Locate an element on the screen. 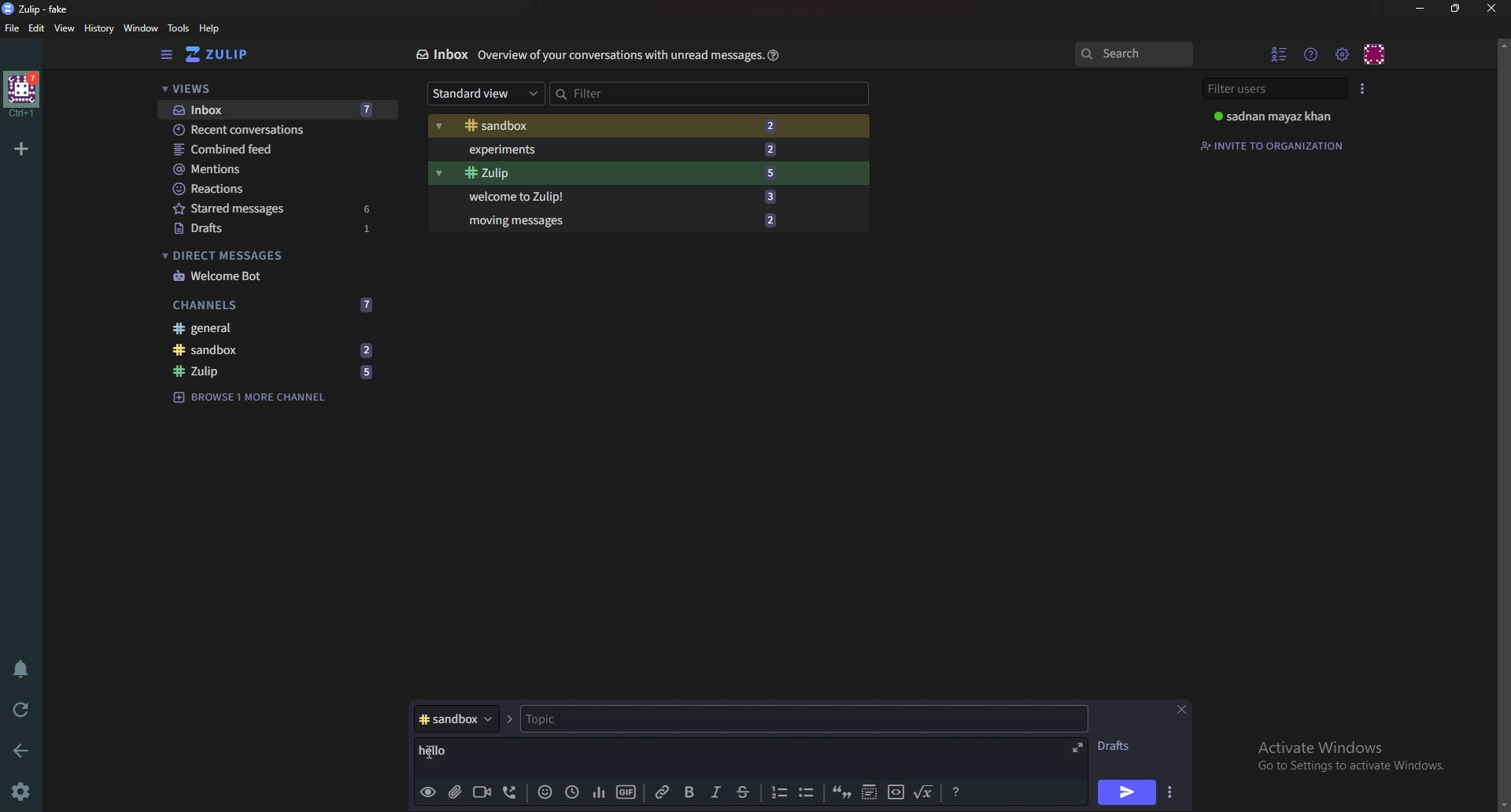 Image resolution: width=1511 pixels, height=812 pixels. Reload is located at coordinates (20, 707).